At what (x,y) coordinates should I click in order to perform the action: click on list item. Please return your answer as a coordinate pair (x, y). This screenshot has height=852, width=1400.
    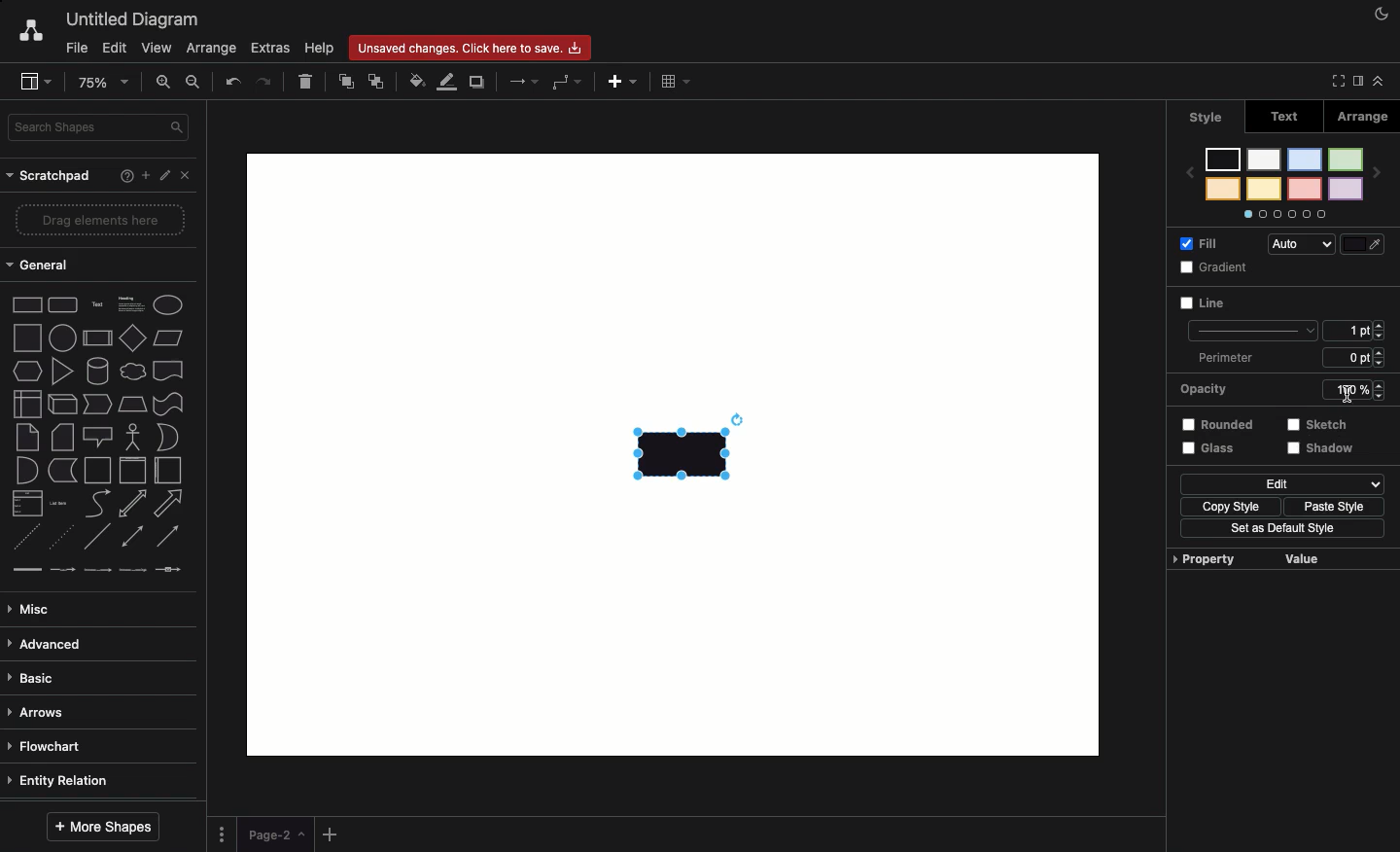
    Looking at the image, I should click on (60, 502).